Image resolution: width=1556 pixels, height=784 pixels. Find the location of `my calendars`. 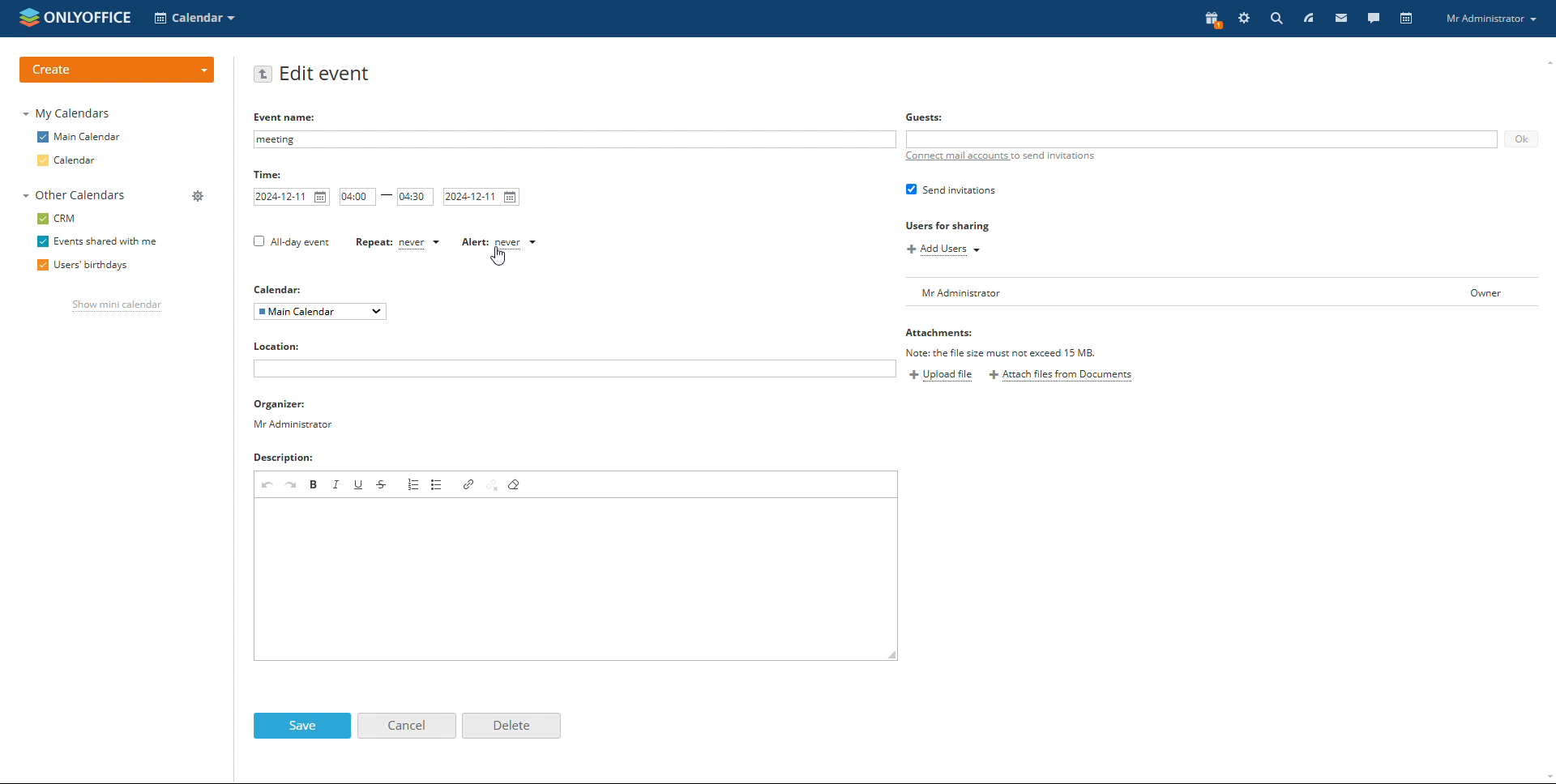

my calendars is located at coordinates (68, 114).